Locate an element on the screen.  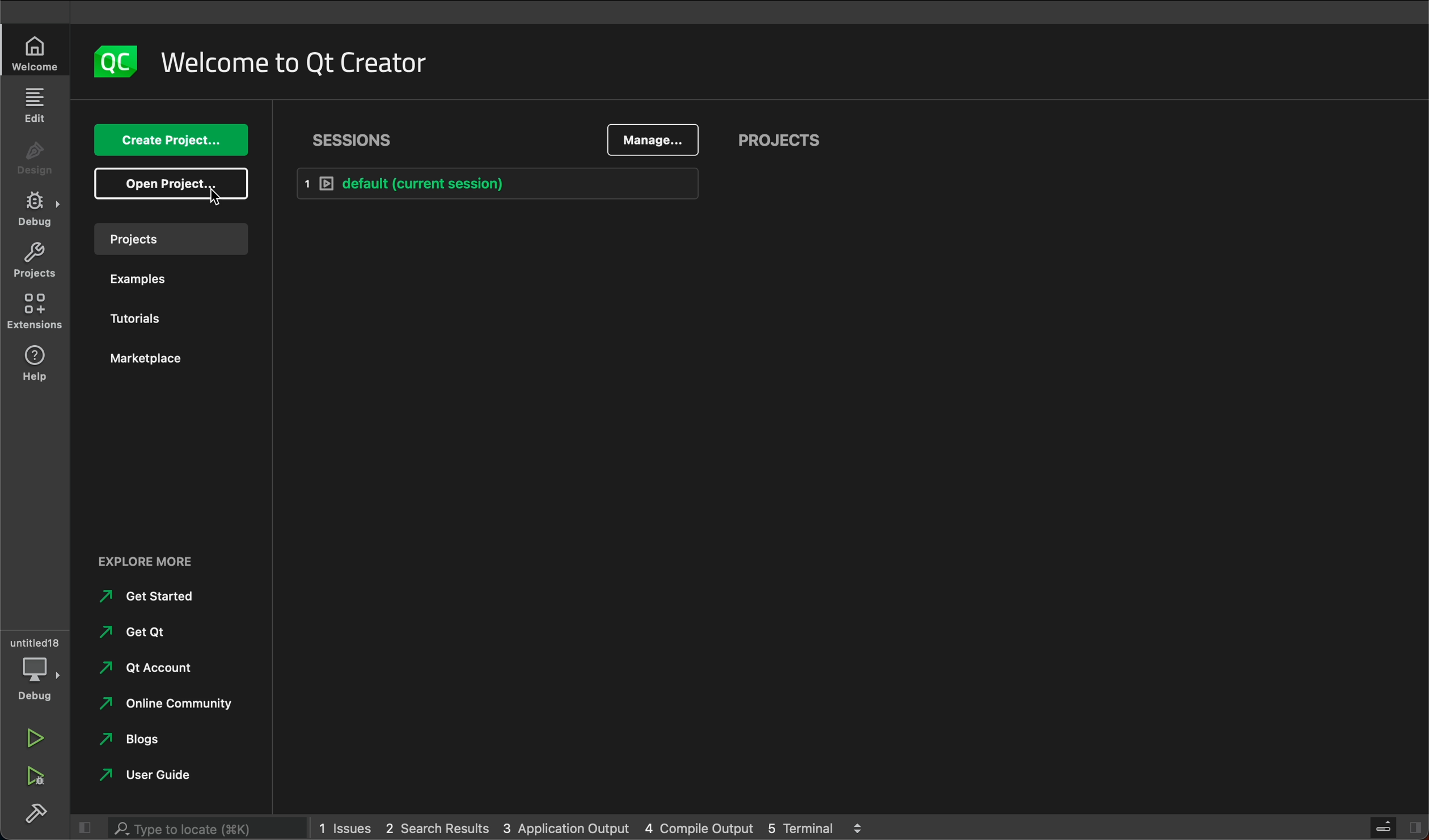
untitled is located at coordinates (34, 642).